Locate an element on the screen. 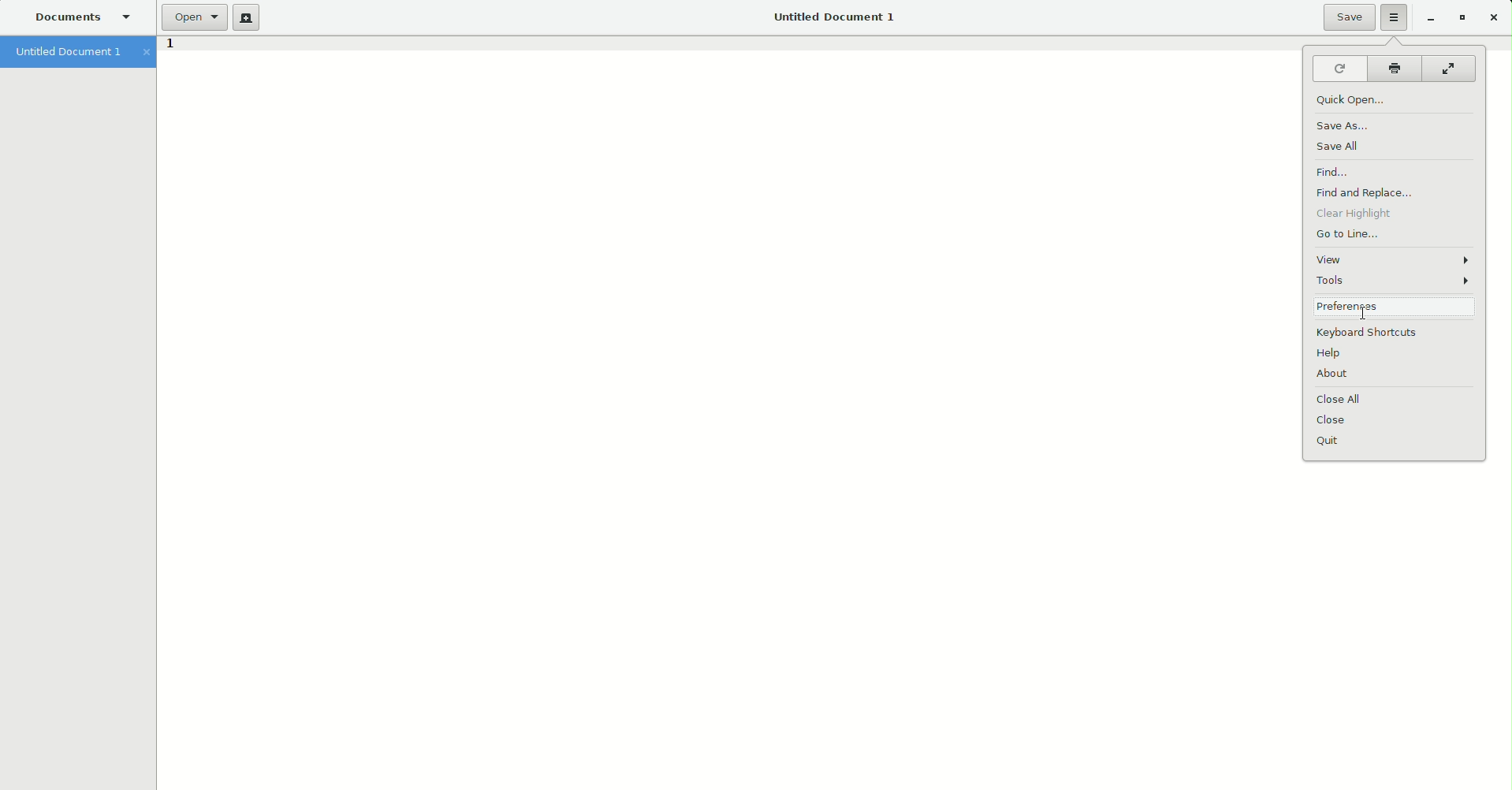 This screenshot has height=790, width=1512. Find is located at coordinates (1336, 170).